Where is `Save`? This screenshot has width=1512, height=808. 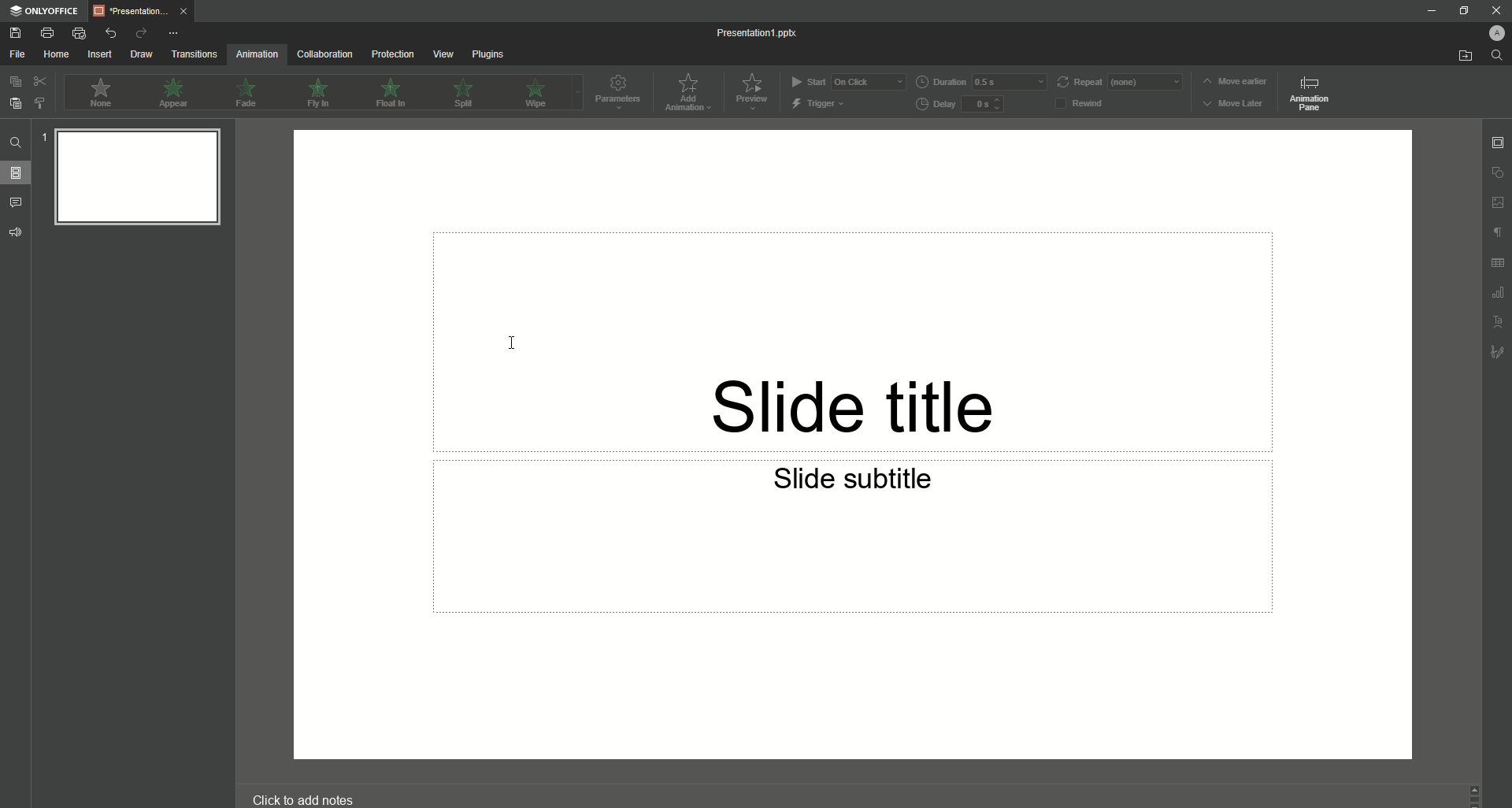
Save is located at coordinates (16, 34).